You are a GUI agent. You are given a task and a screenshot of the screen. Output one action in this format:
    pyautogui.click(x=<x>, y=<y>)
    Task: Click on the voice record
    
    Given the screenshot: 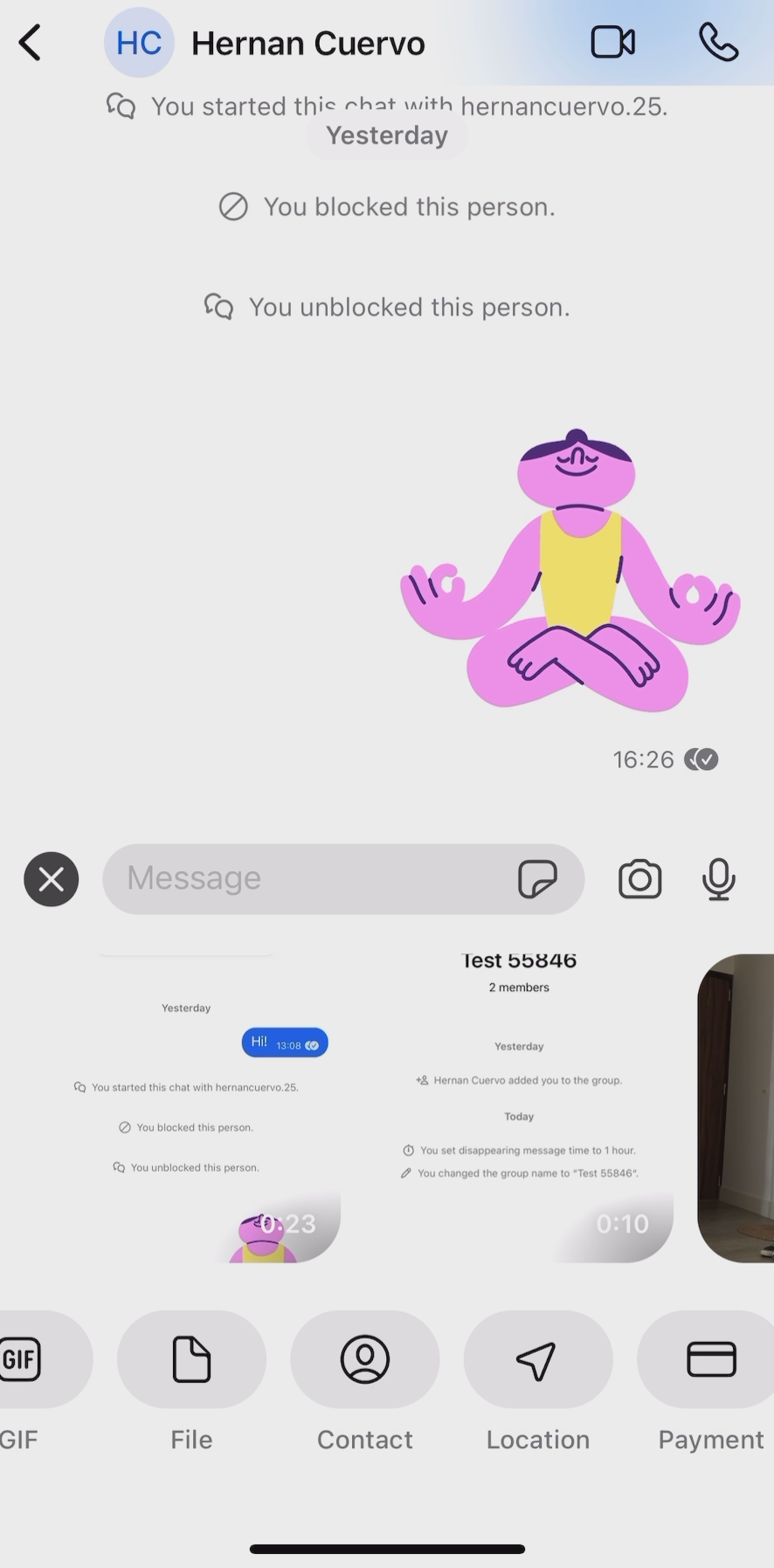 What is the action you would take?
    pyautogui.click(x=718, y=877)
    